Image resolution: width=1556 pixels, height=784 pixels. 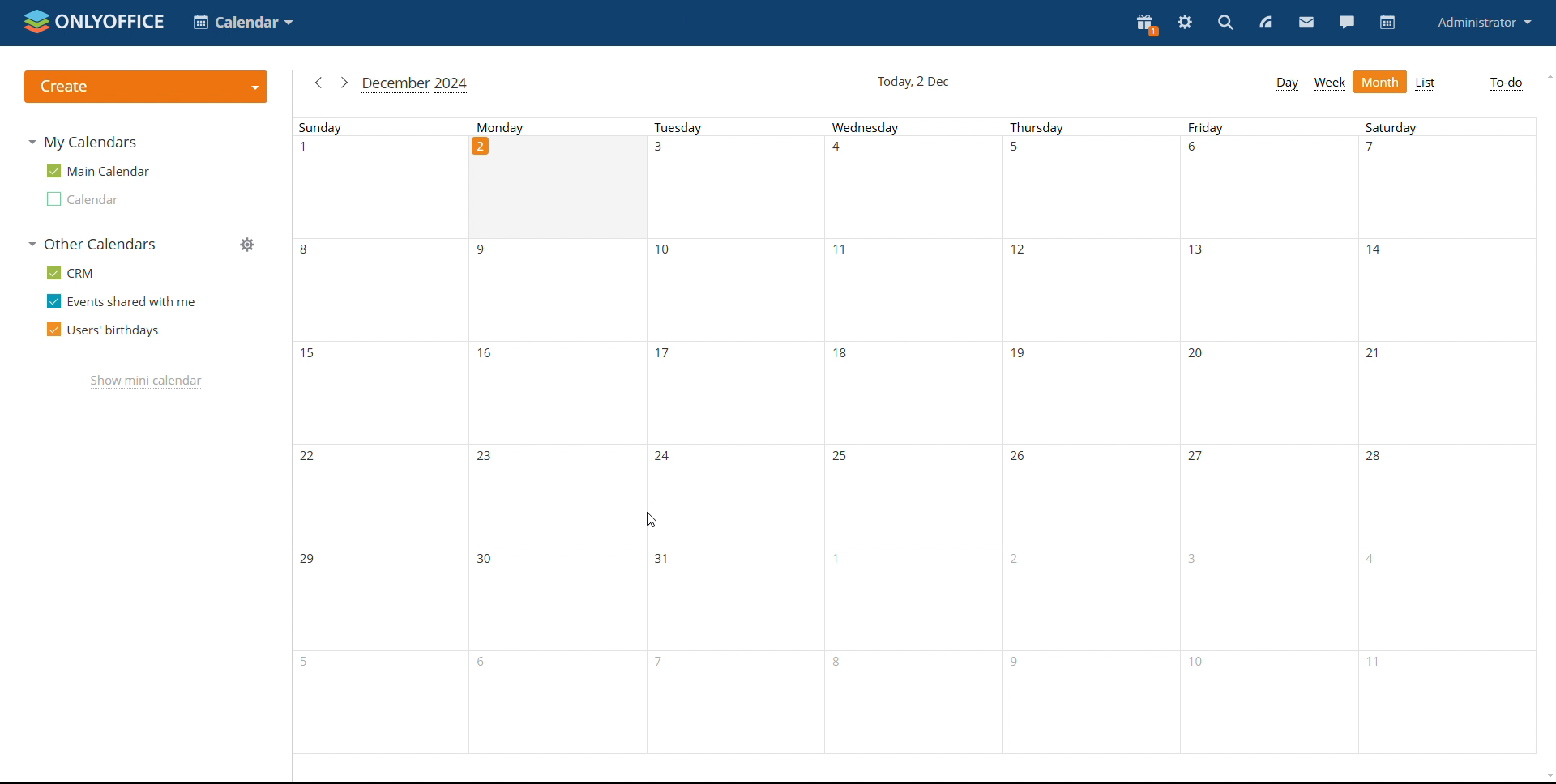 I want to click on other calendars, so click(x=92, y=243).